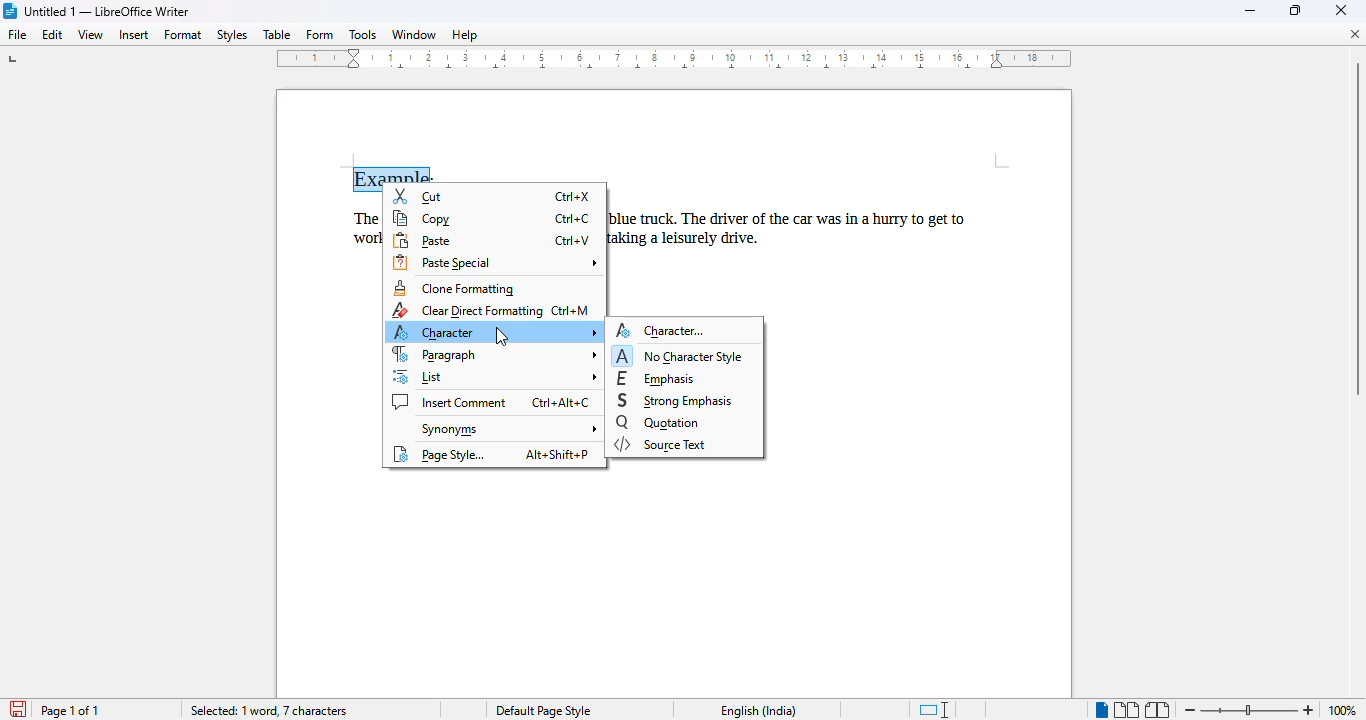  I want to click on Ctrl+X, so click(571, 197).